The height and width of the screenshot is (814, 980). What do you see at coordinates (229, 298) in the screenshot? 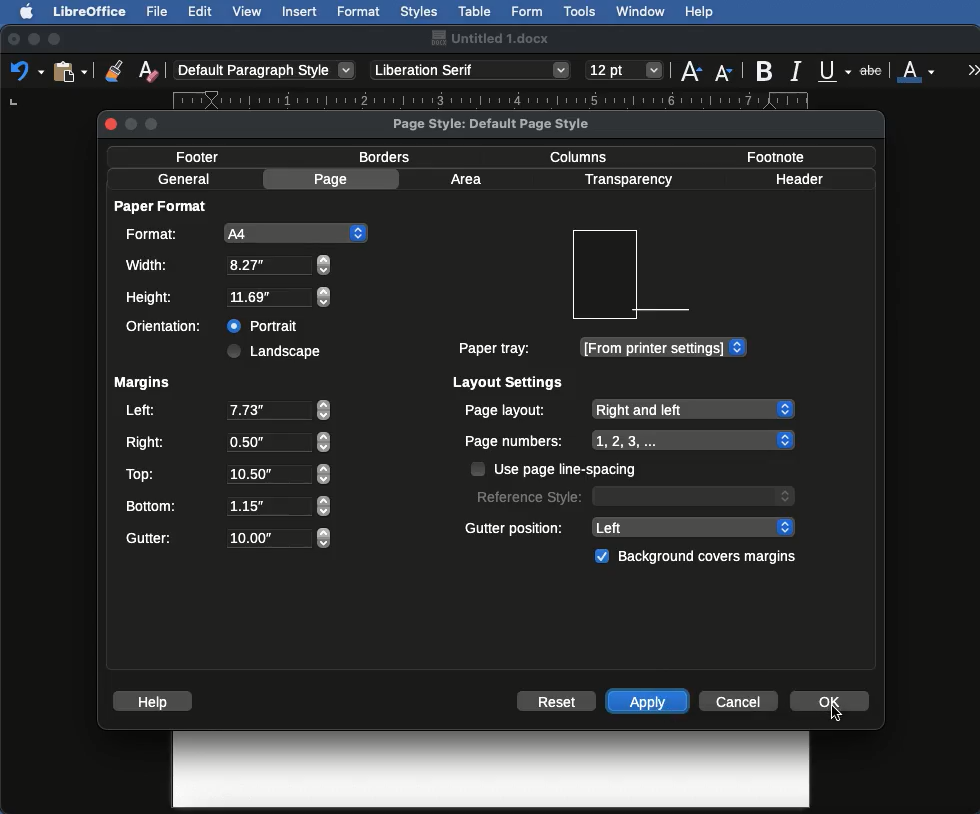
I see `Height` at bounding box center [229, 298].